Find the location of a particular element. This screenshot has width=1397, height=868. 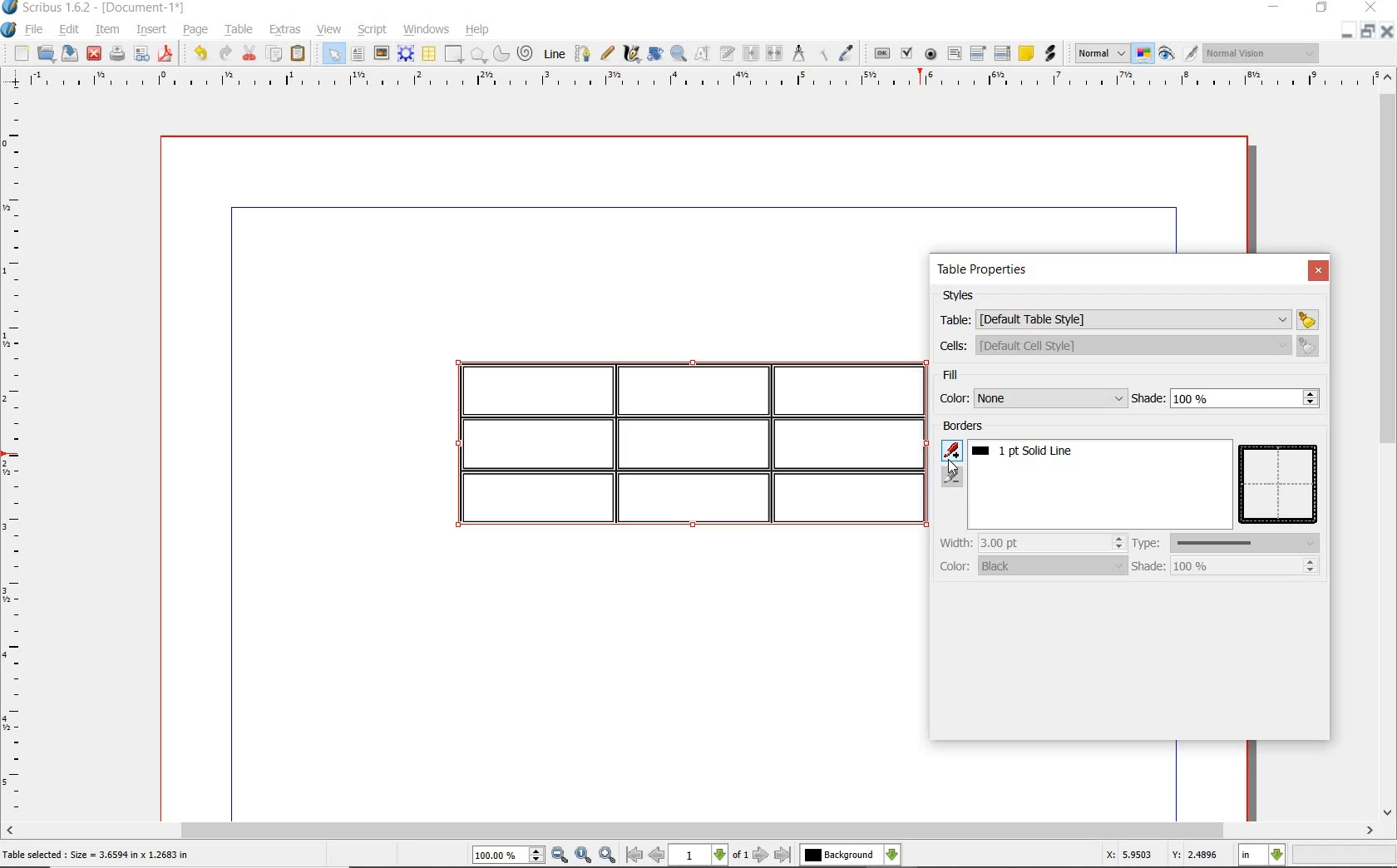

new is located at coordinates (20, 53).